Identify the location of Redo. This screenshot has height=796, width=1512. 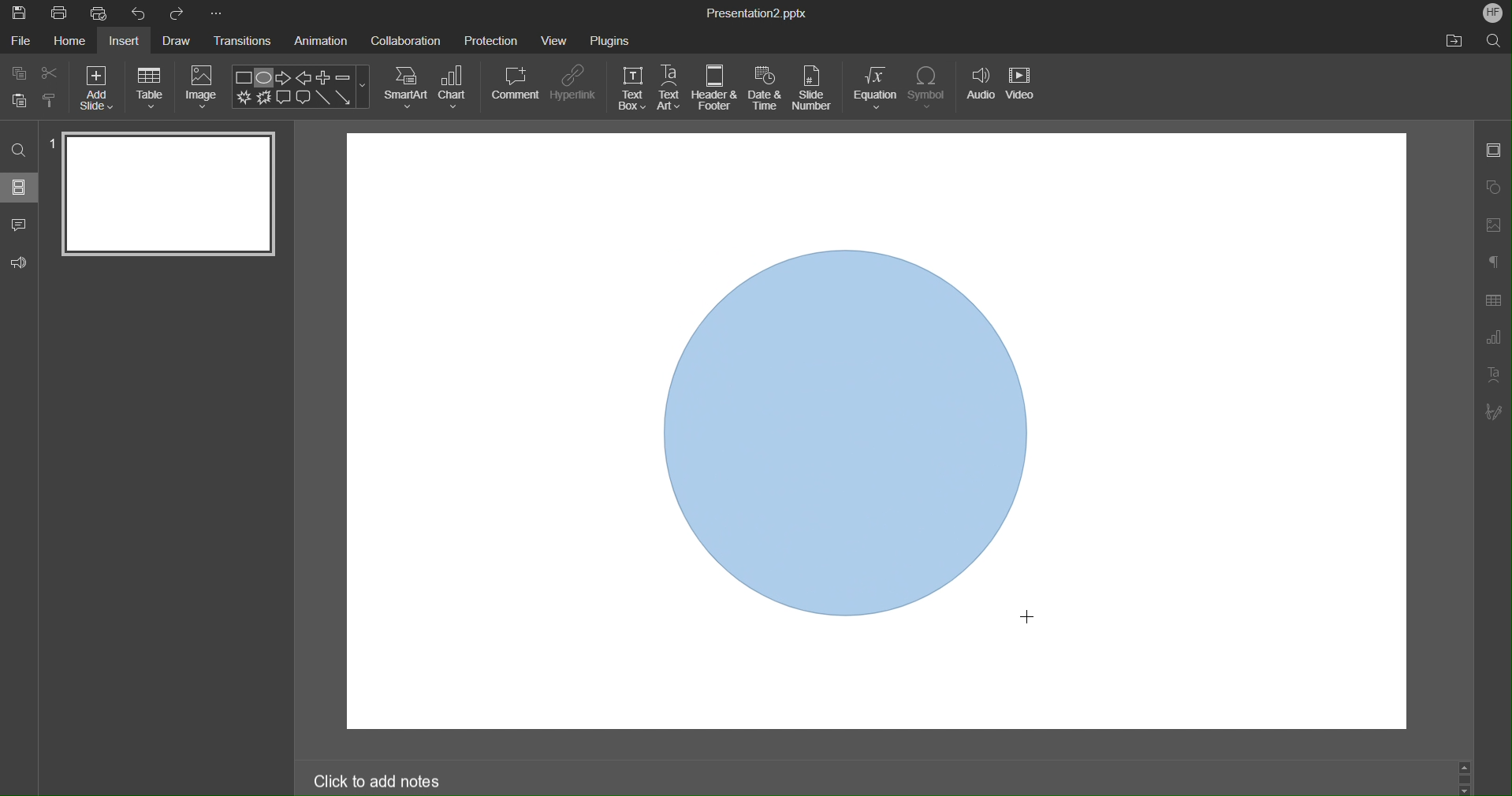
(178, 13).